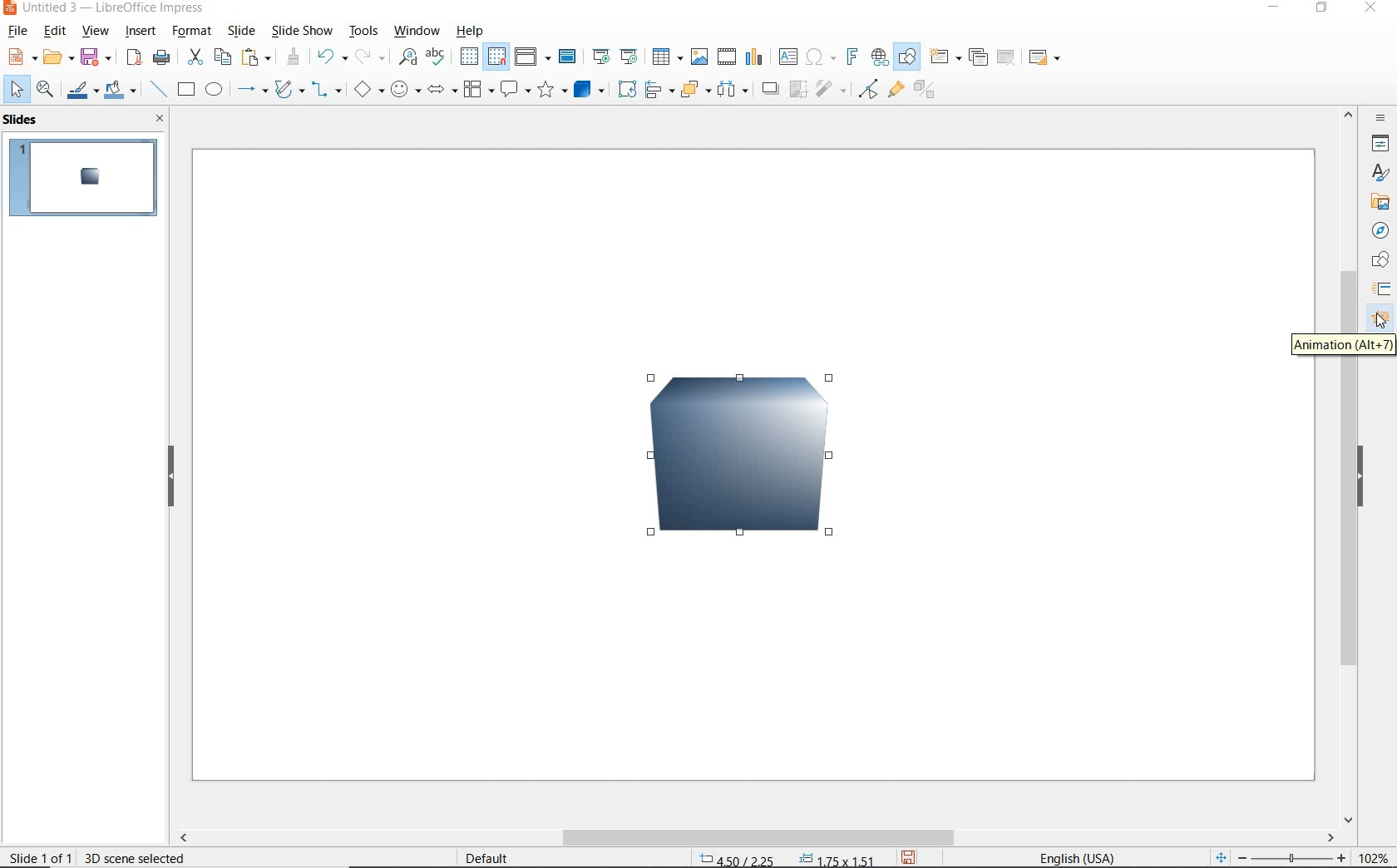  Describe the element at coordinates (498, 57) in the screenshot. I see `snap to grid` at that location.